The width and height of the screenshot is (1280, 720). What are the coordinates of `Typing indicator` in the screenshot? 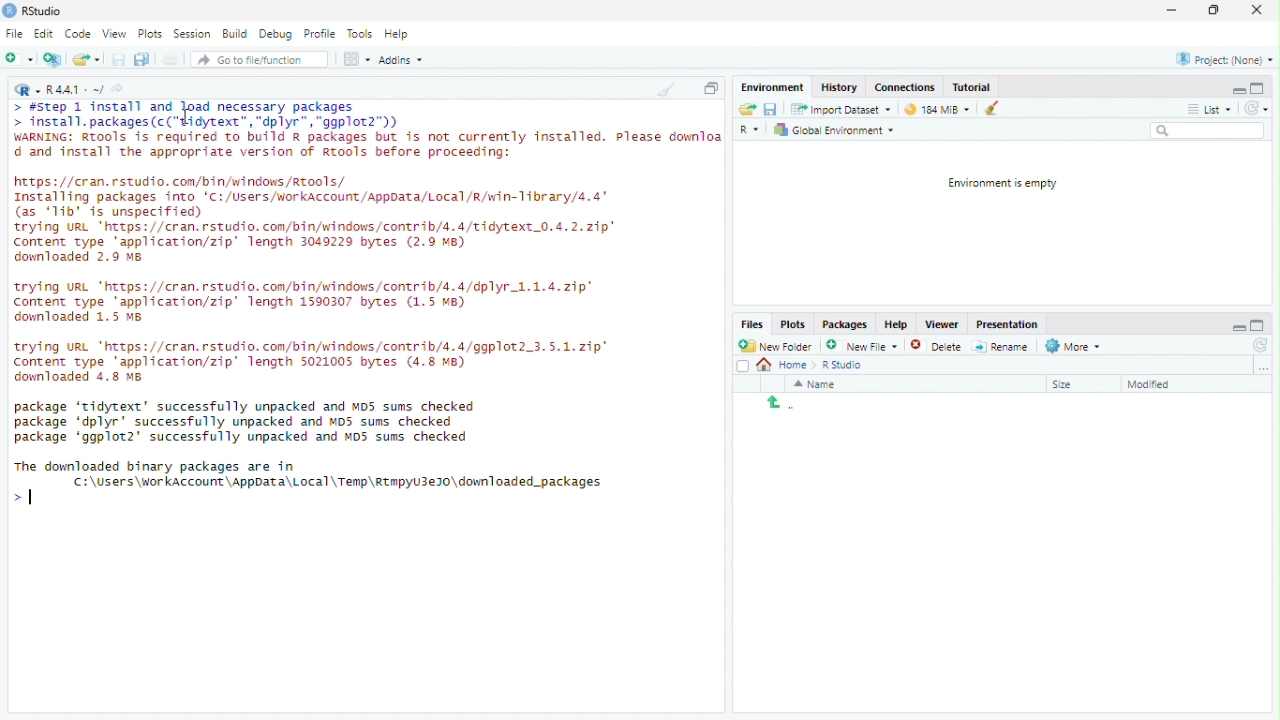 It's located at (25, 500).